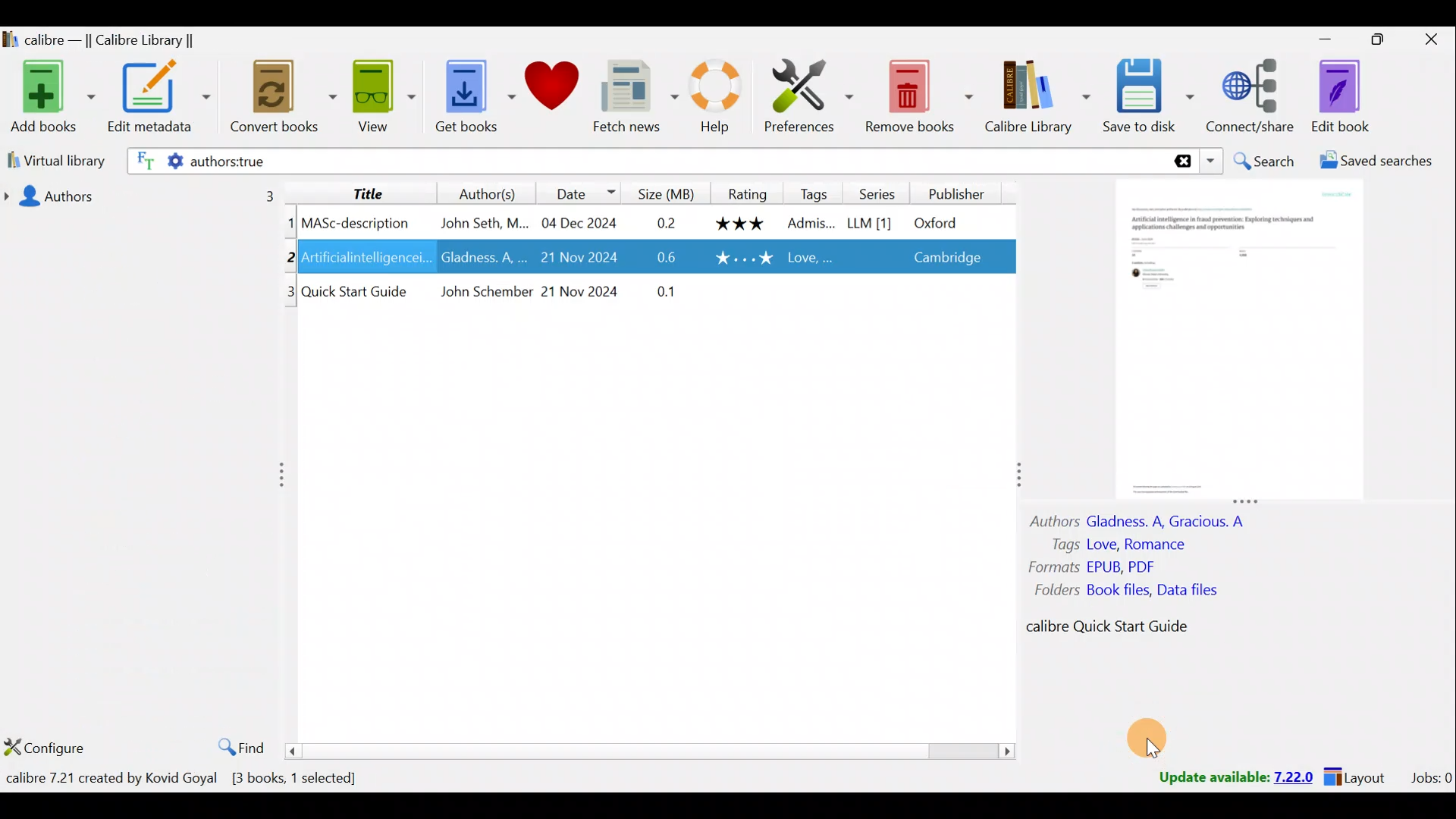 This screenshot has width=1456, height=819. Describe the element at coordinates (1318, 42) in the screenshot. I see `Minimise` at that location.